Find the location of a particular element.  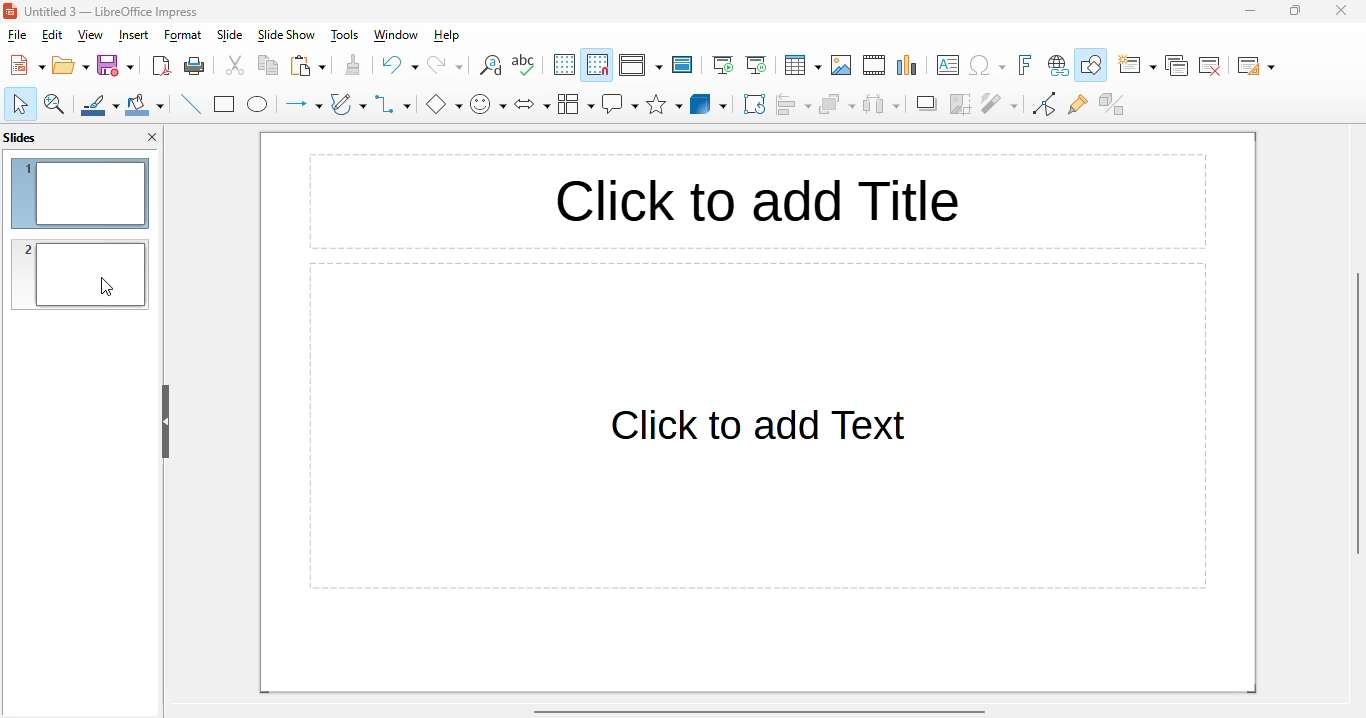

format is located at coordinates (182, 36).